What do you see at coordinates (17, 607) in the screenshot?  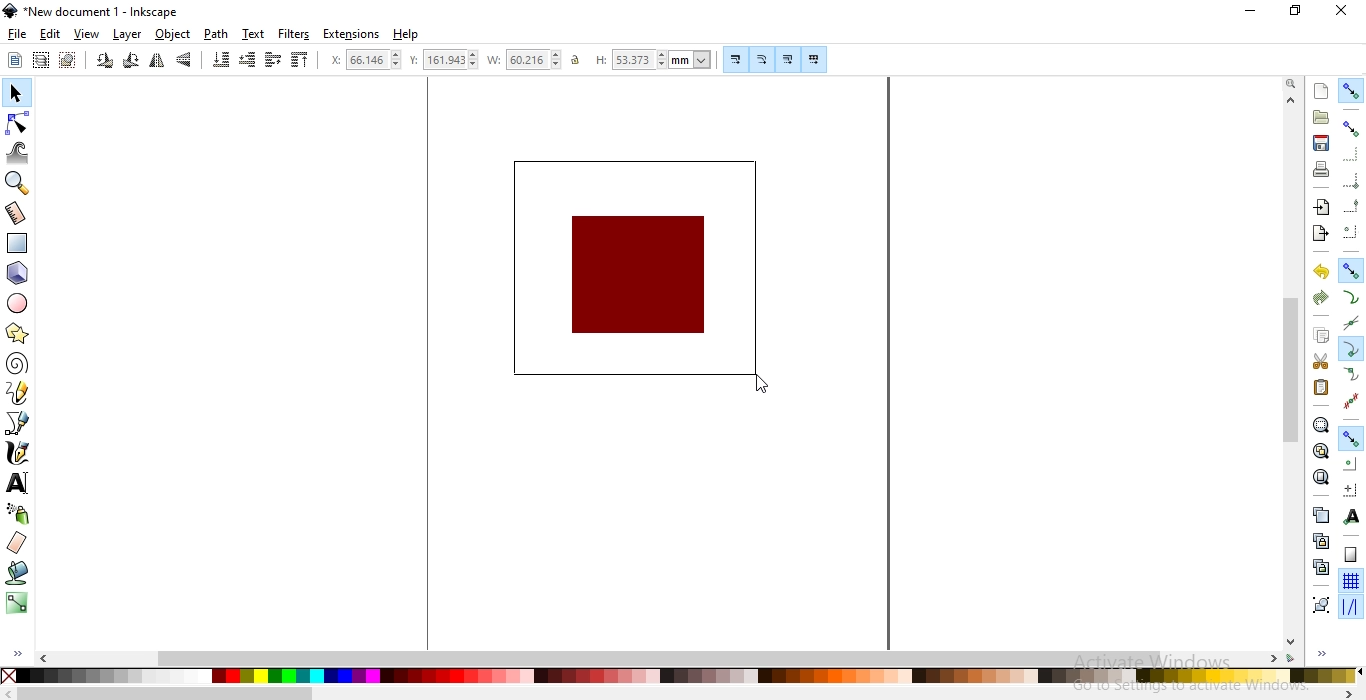 I see `create and edit gradient ` at bounding box center [17, 607].